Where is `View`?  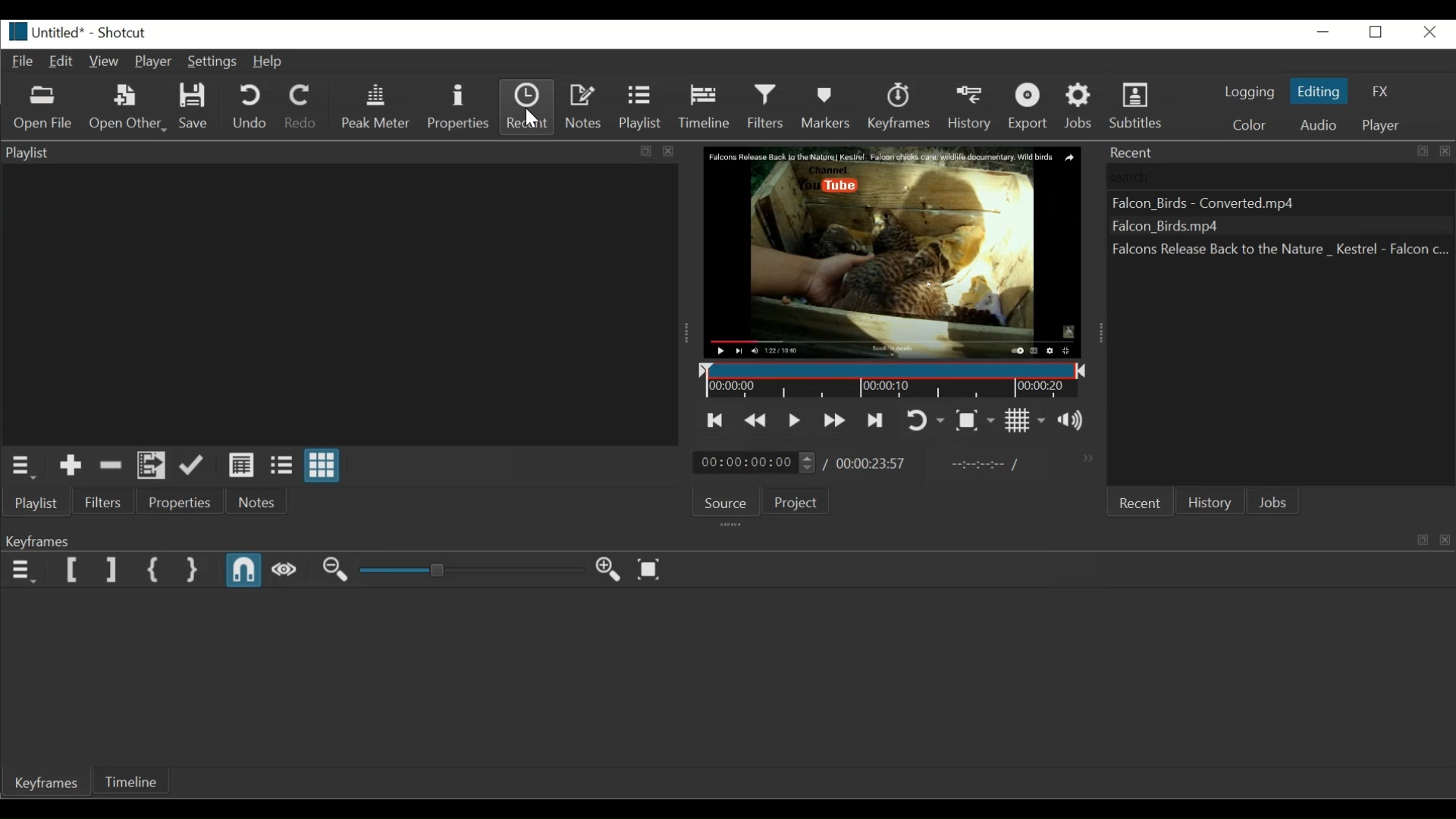
View is located at coordinates (105, 62).